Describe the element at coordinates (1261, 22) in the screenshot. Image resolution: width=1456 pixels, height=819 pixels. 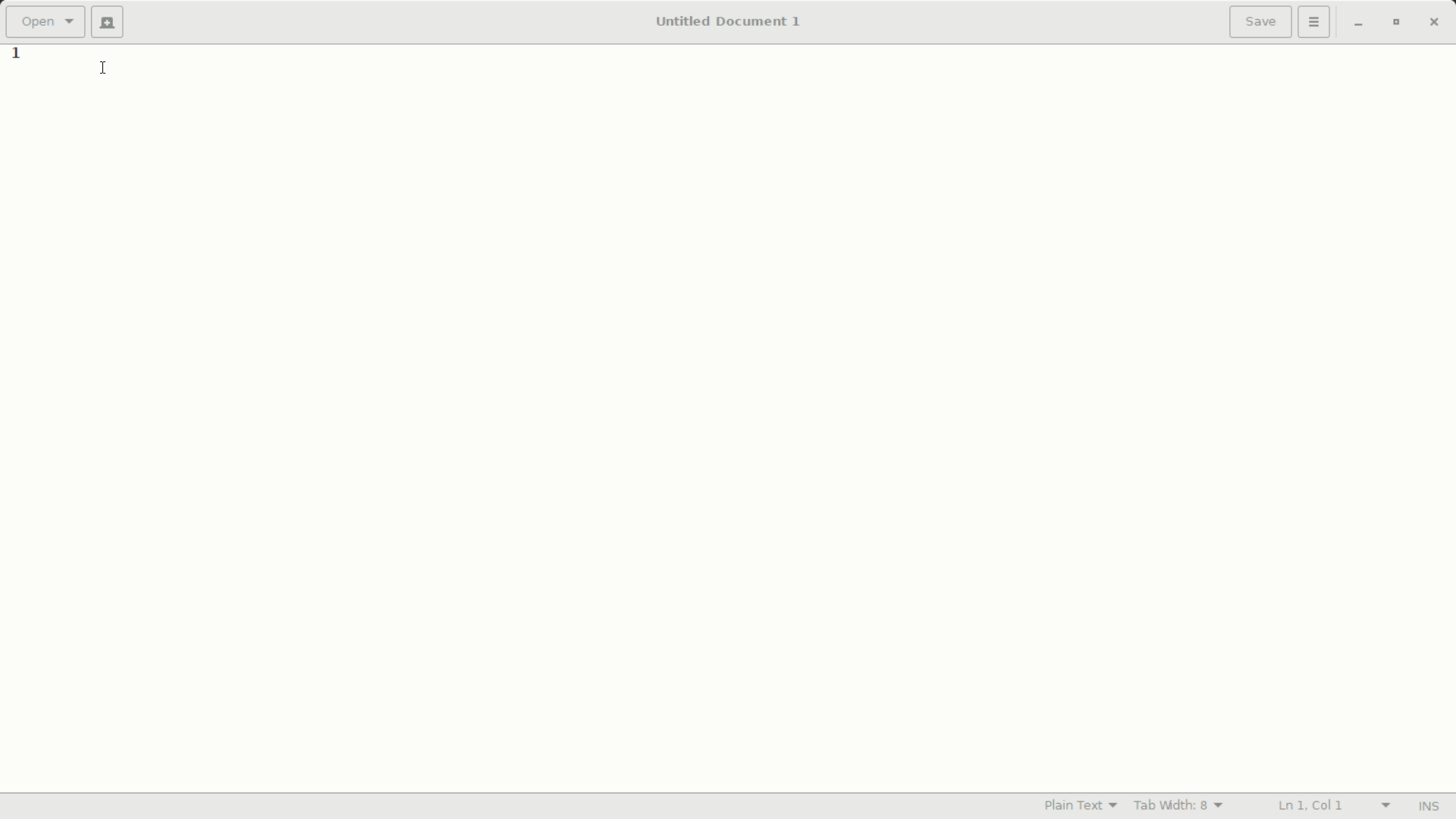
I see `save file` at that location.